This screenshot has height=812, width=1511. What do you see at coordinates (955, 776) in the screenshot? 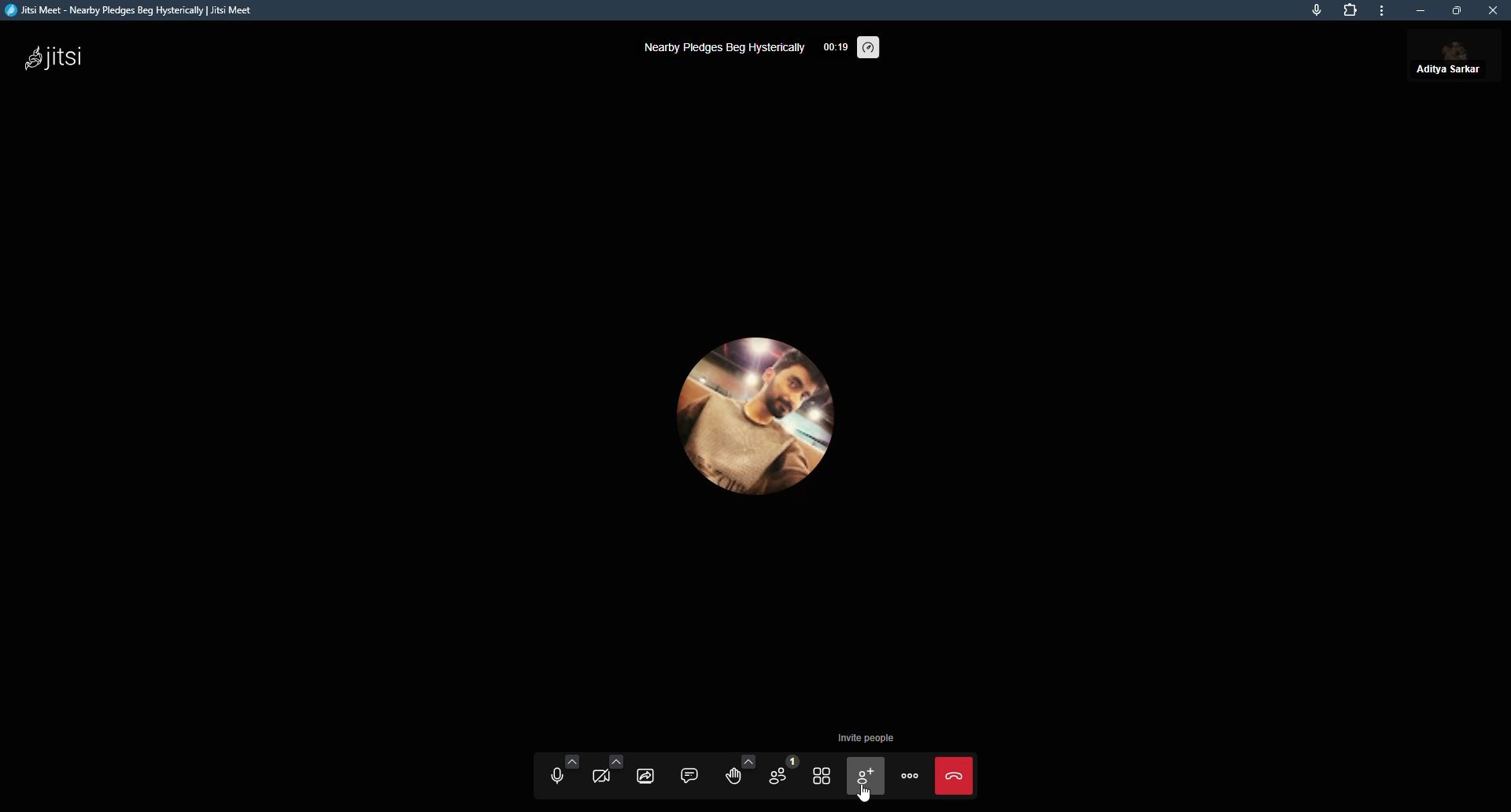
I see `leave the meeting` at bounding box center [955, 776].